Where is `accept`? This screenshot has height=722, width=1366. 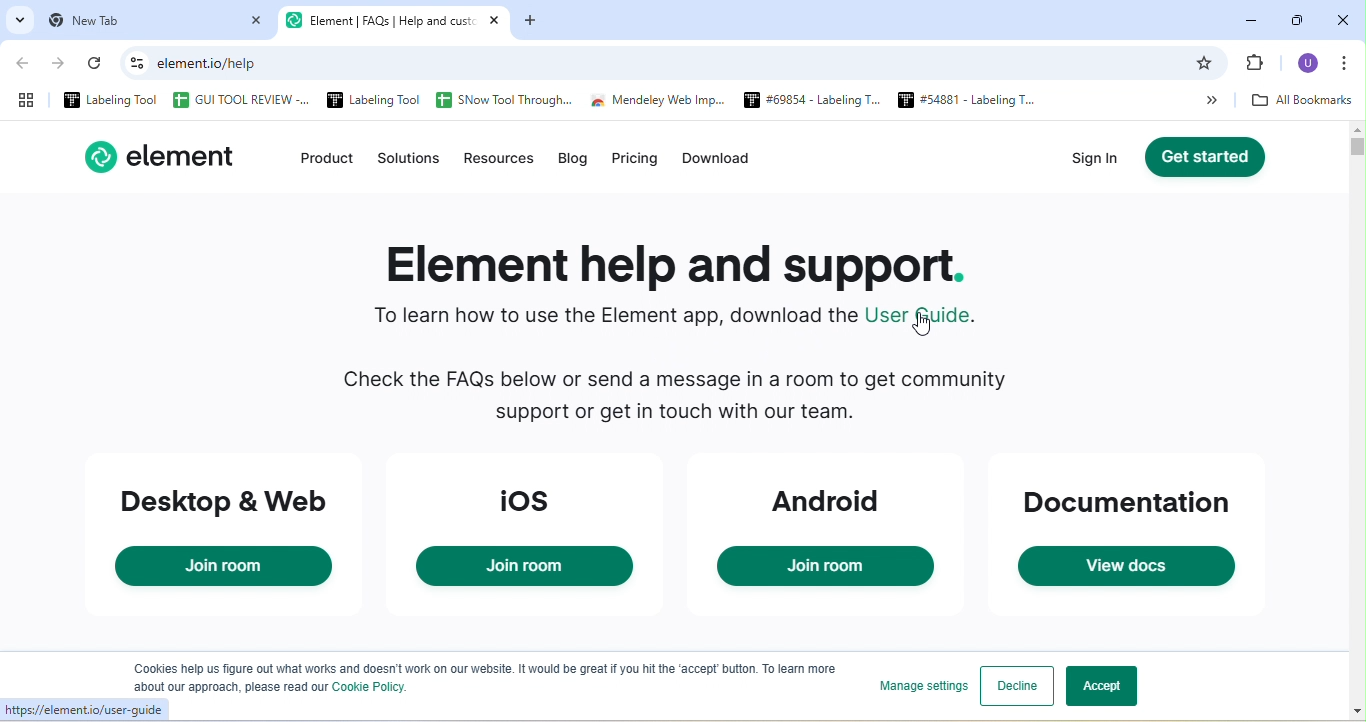 accept is located at coordinates (1101, 684).